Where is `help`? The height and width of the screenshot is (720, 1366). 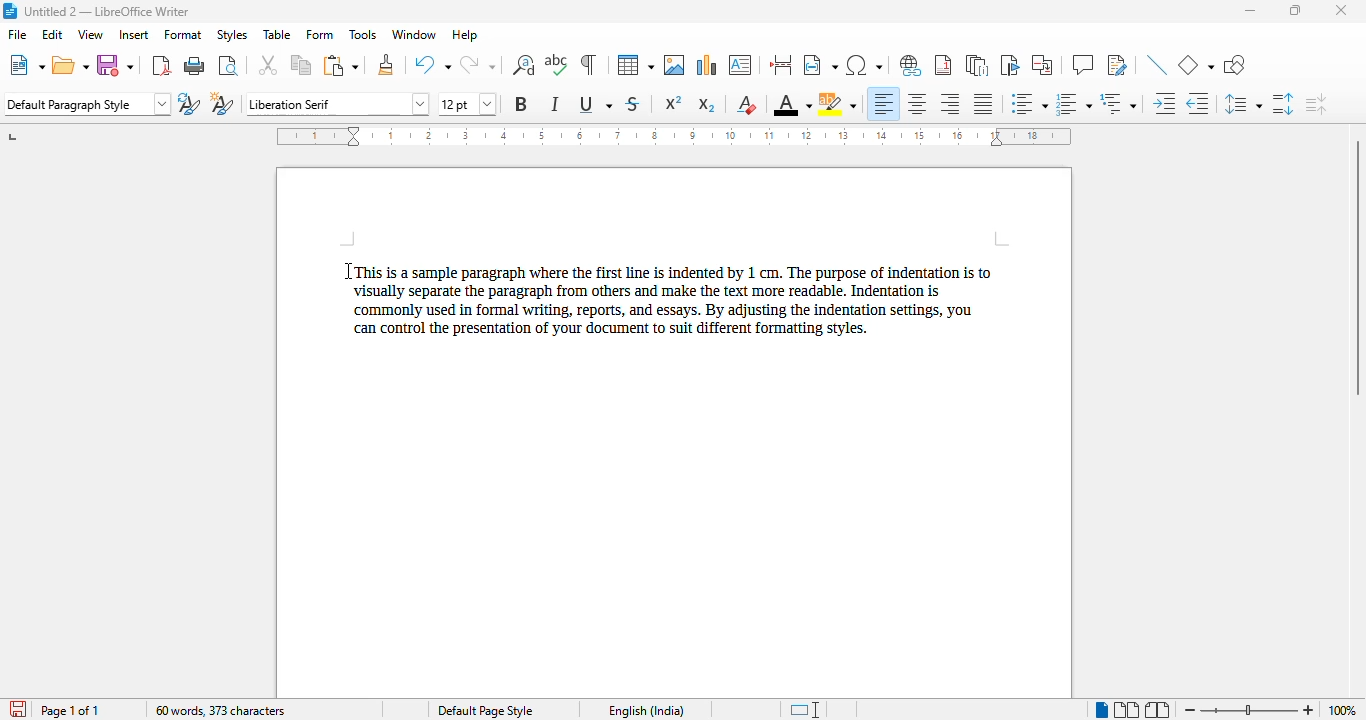 help is located at coordinates (465, 35).